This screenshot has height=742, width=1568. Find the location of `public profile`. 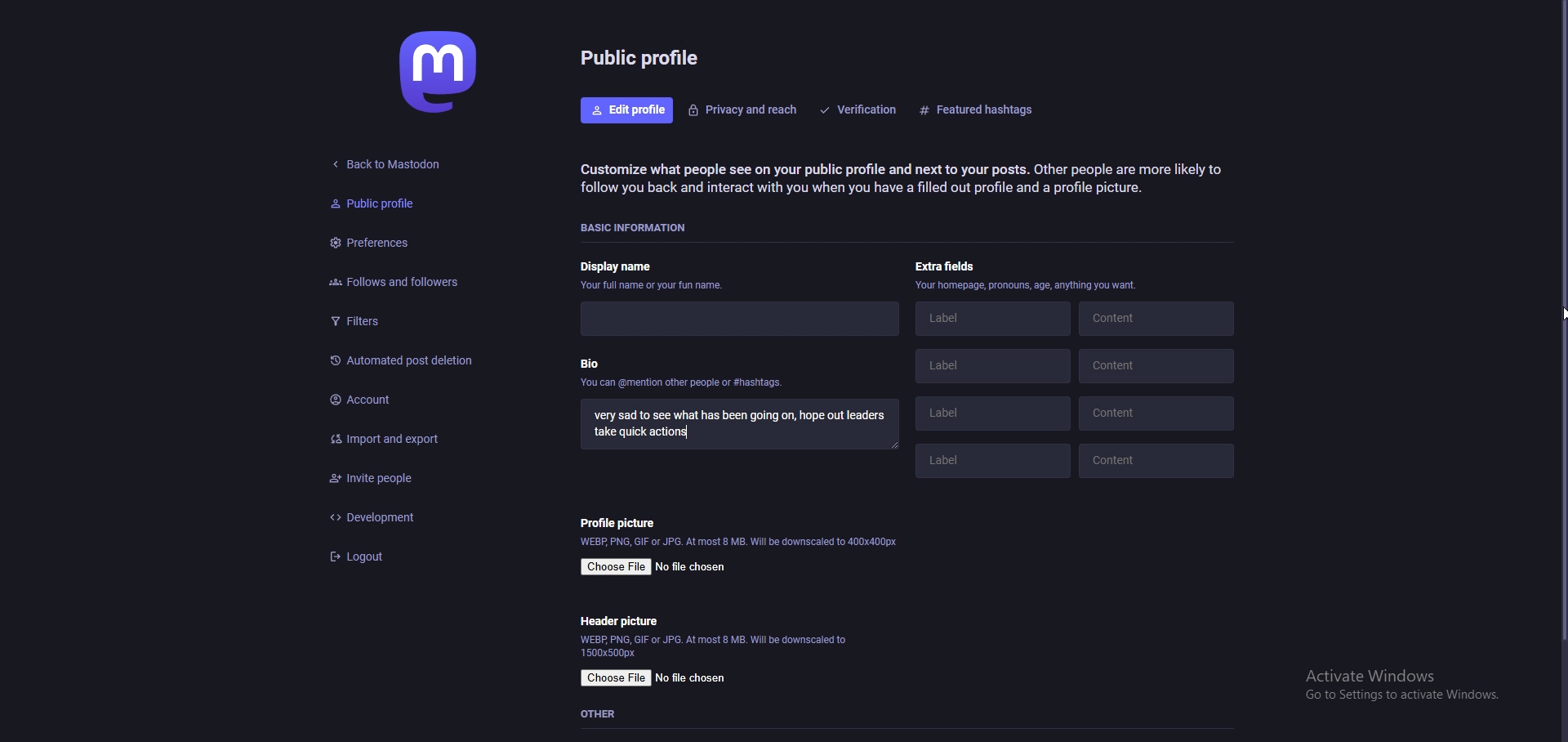

public profile is located at coordinates (643, 56).